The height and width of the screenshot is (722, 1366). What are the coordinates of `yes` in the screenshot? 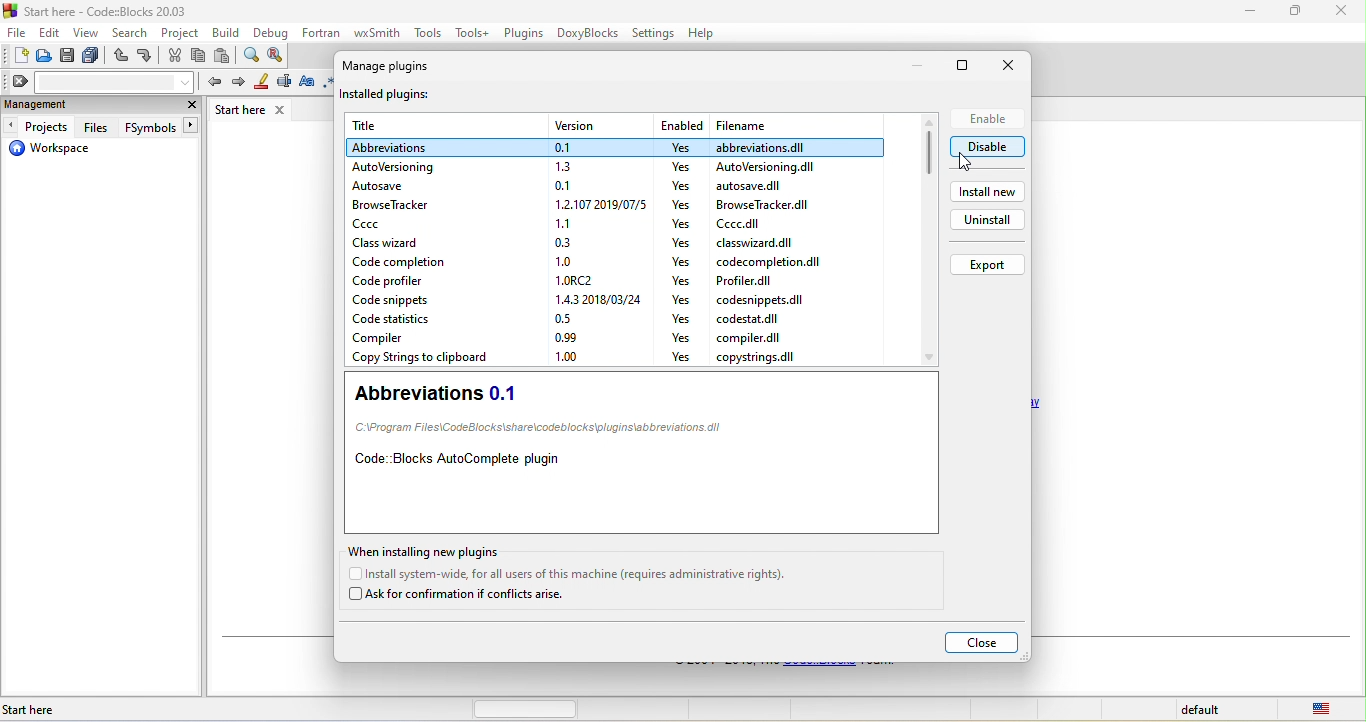 It's located at (682, 222).